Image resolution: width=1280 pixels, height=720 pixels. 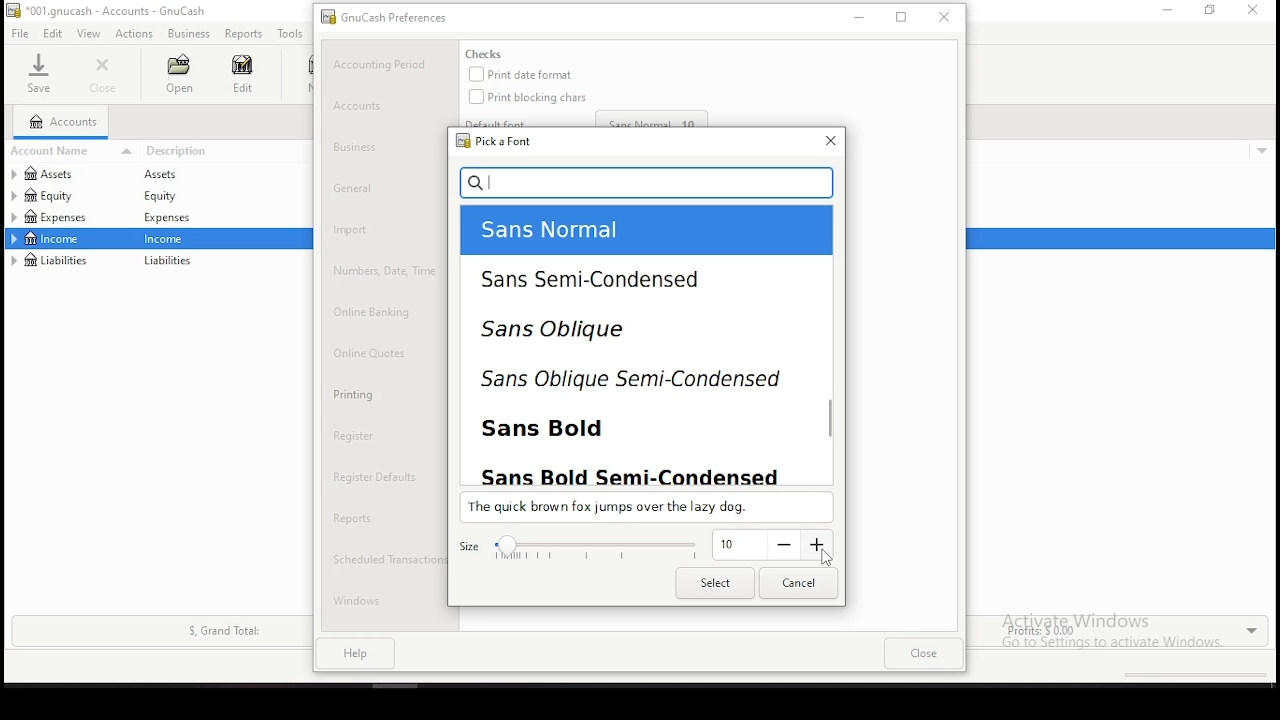 What do you see at coordinates (168, 239) in the screenshot?
I see `income` at bounding box center [168, 239].